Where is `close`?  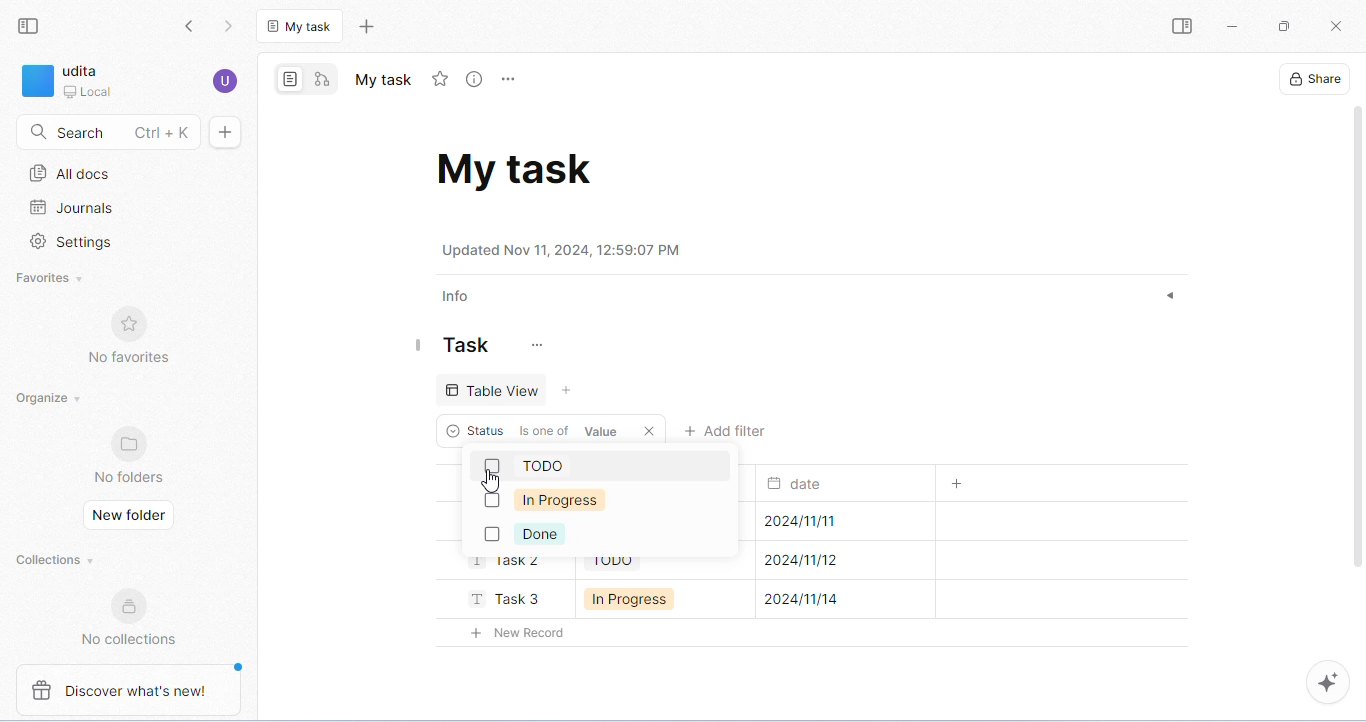
close is located at coordinates (650, 431).